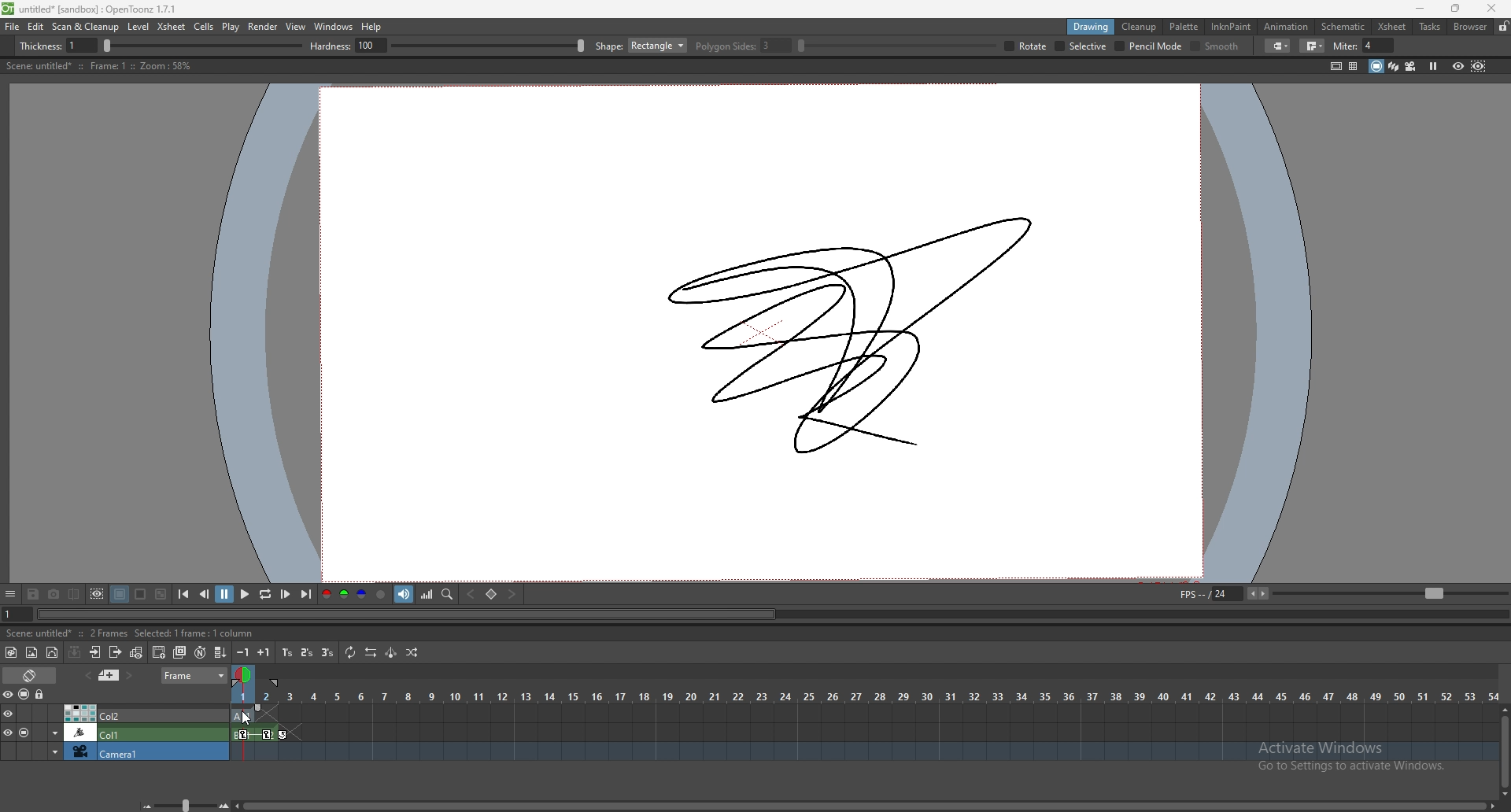 Image resolution: width=1511 pixels, height=812 pixels. What do you see at coordinates (405, 593) in the screenshot?
I see `soundtrack` at bounding box center [405, 593].